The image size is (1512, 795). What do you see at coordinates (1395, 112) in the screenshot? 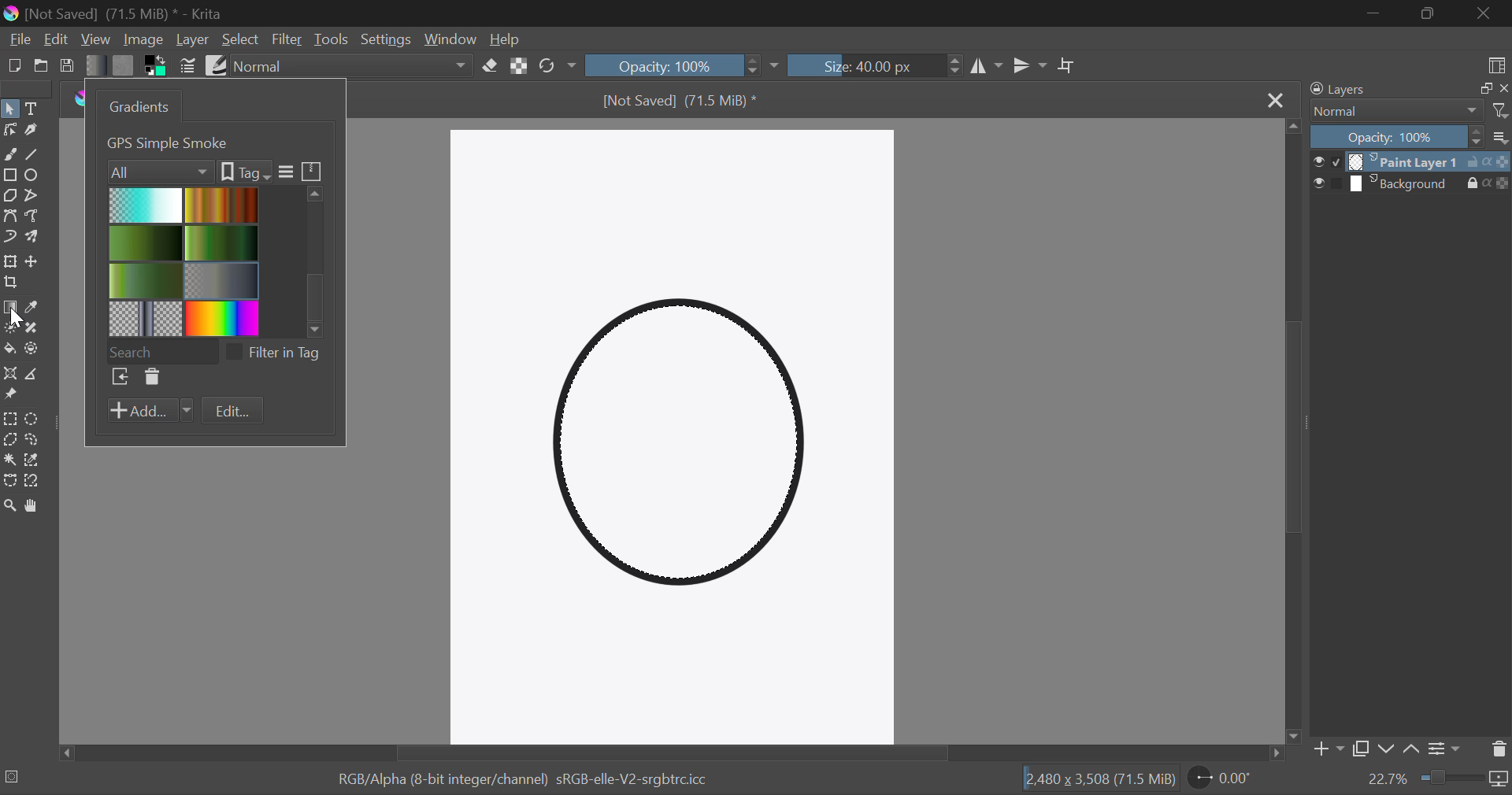
I see `Normal` at bounding box center [1395, 112].